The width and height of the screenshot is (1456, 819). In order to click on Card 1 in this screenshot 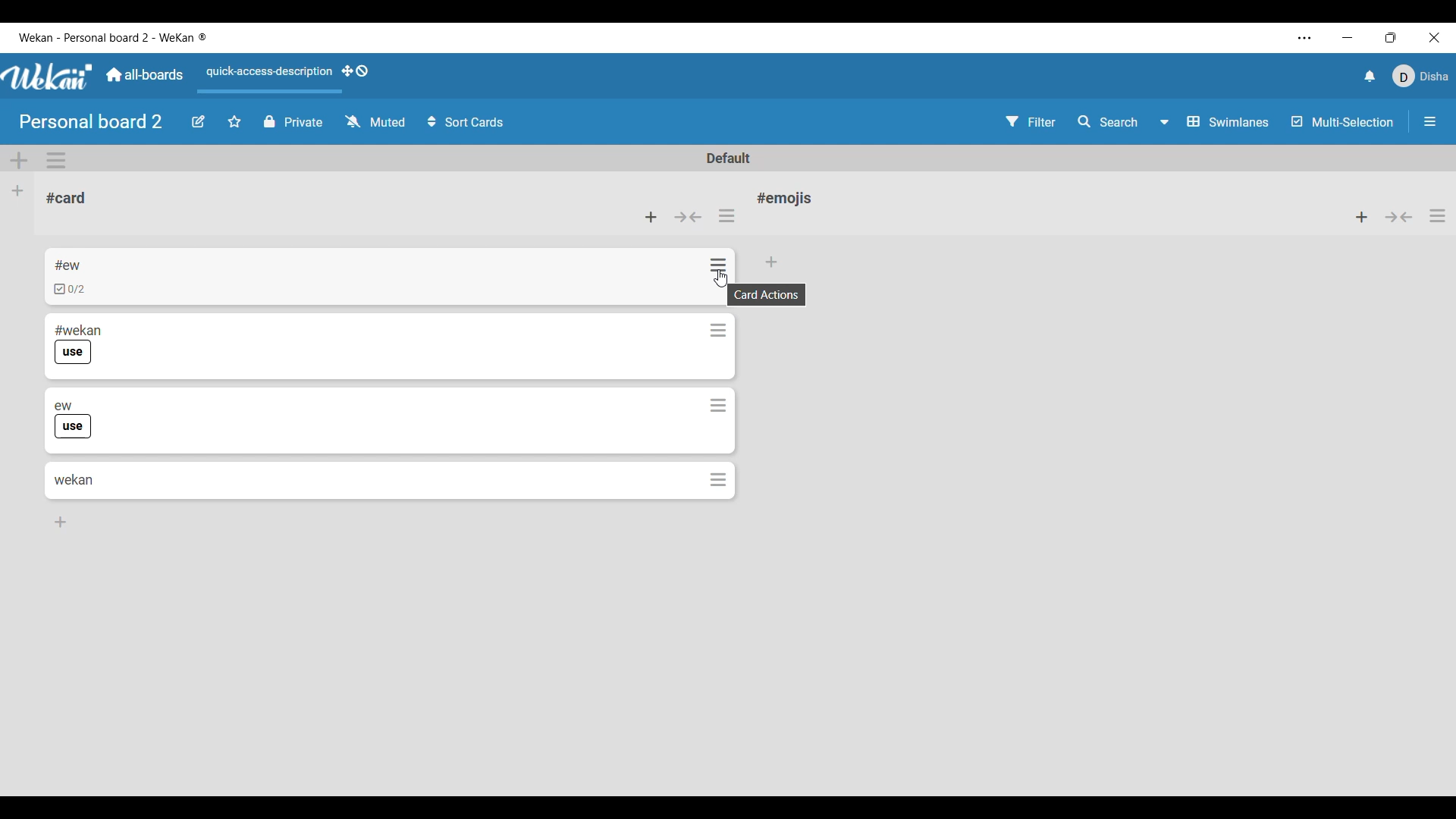, I will do `click(118, 263)`.